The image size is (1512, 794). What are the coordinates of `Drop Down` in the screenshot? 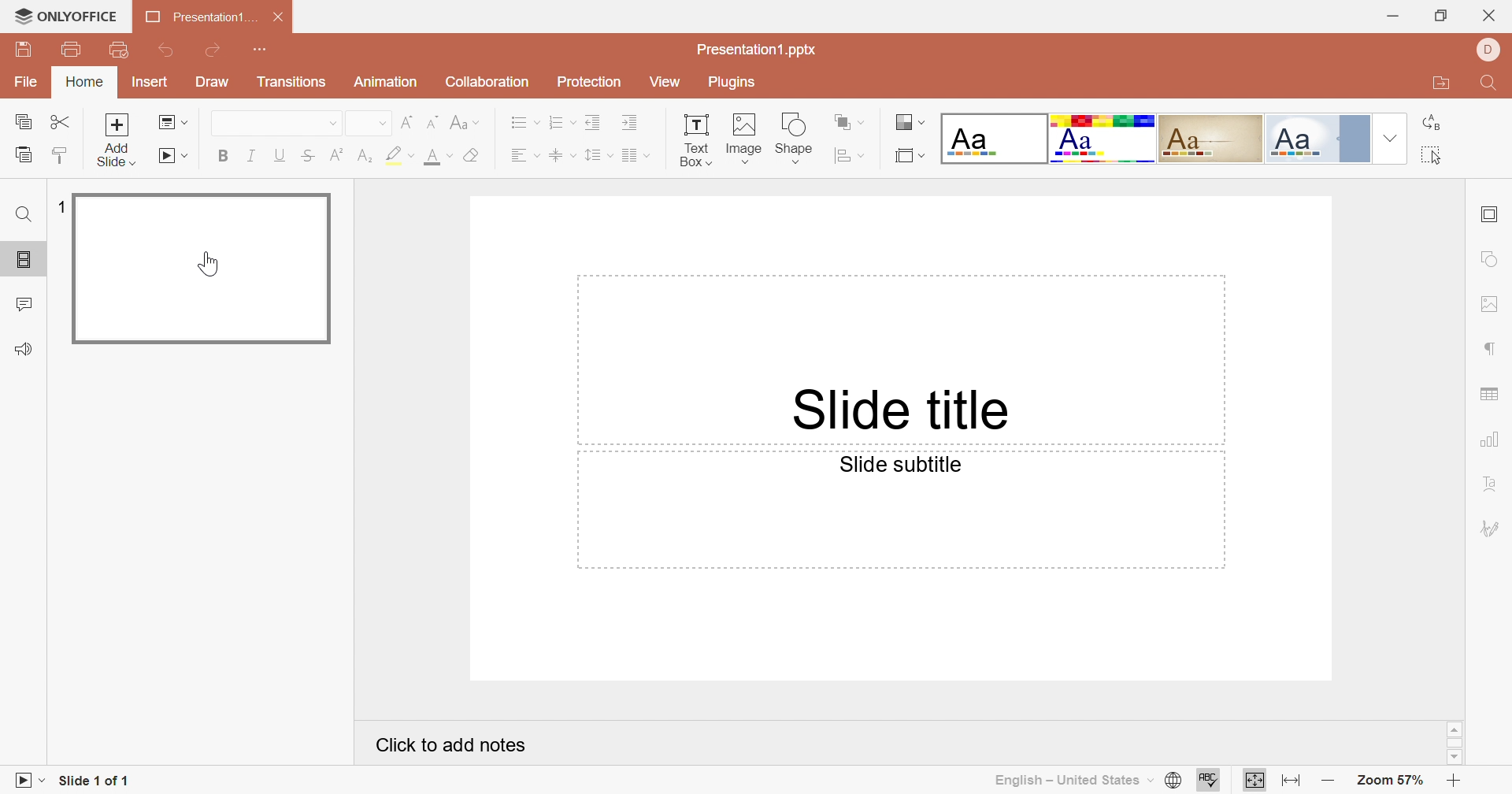 It's located at (1392, 137).